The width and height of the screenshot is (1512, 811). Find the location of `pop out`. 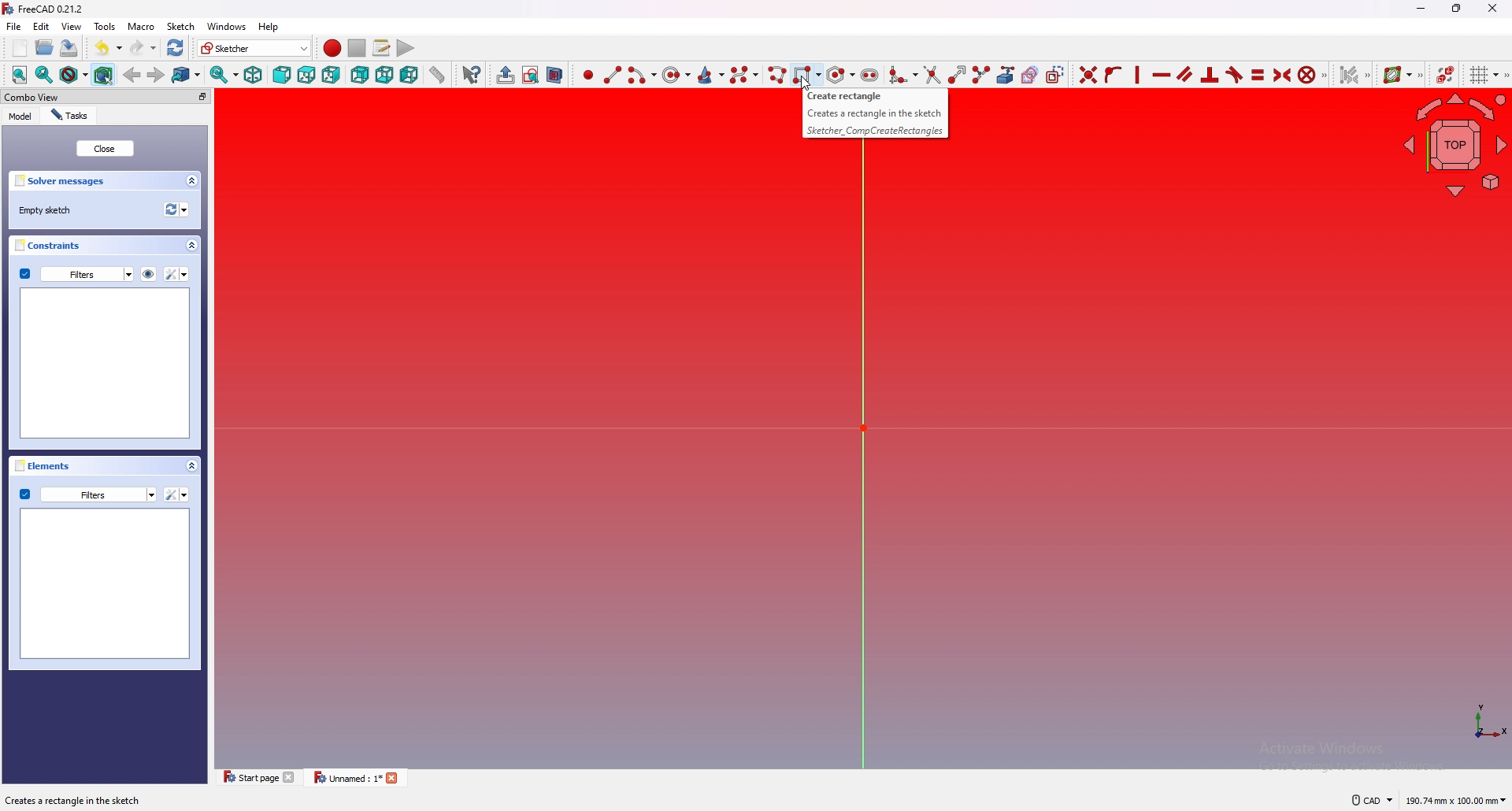

pop out is located at coordinates (202, 97).